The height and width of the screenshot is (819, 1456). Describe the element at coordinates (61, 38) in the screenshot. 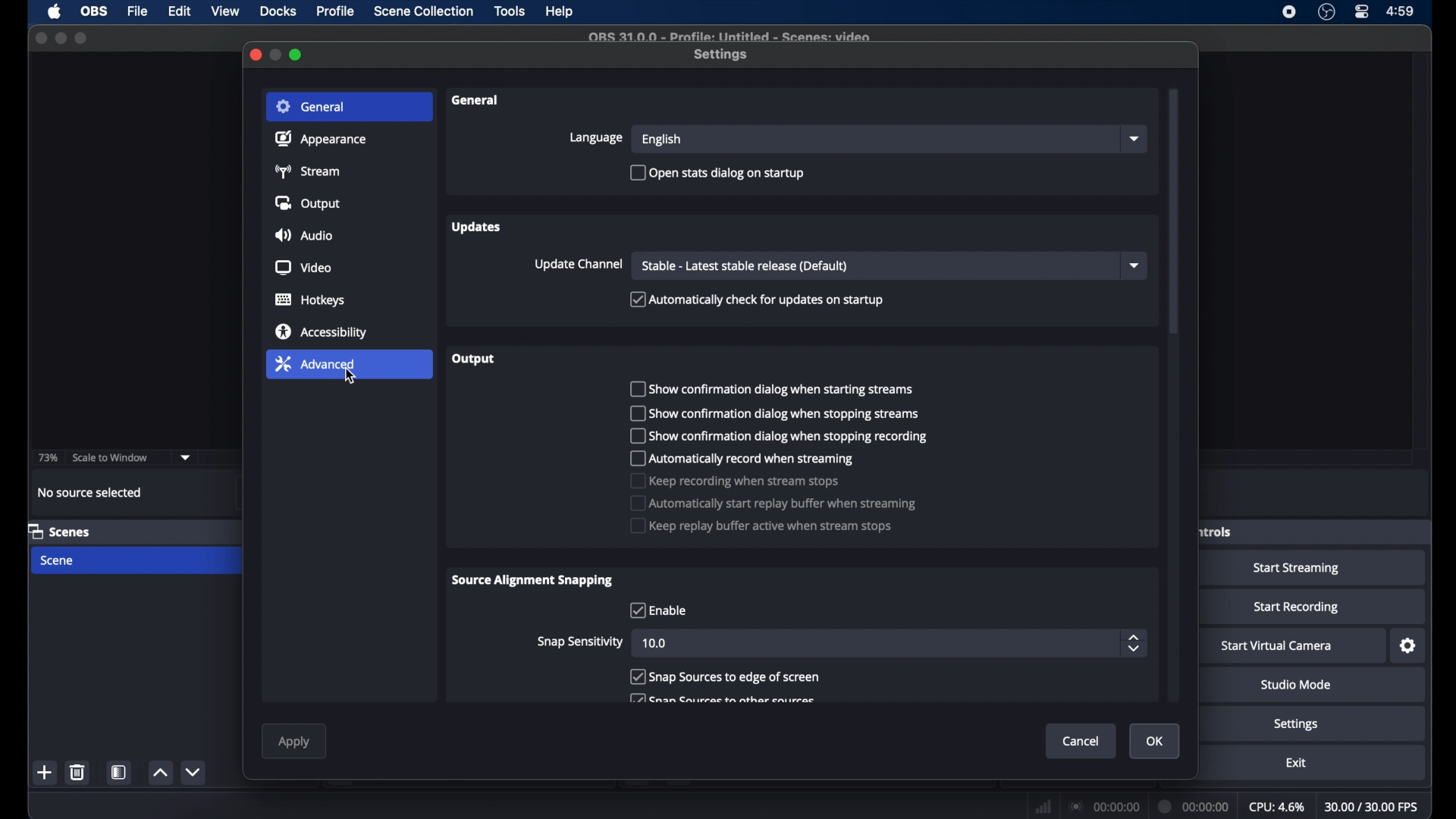

I see `minimize` at that location.